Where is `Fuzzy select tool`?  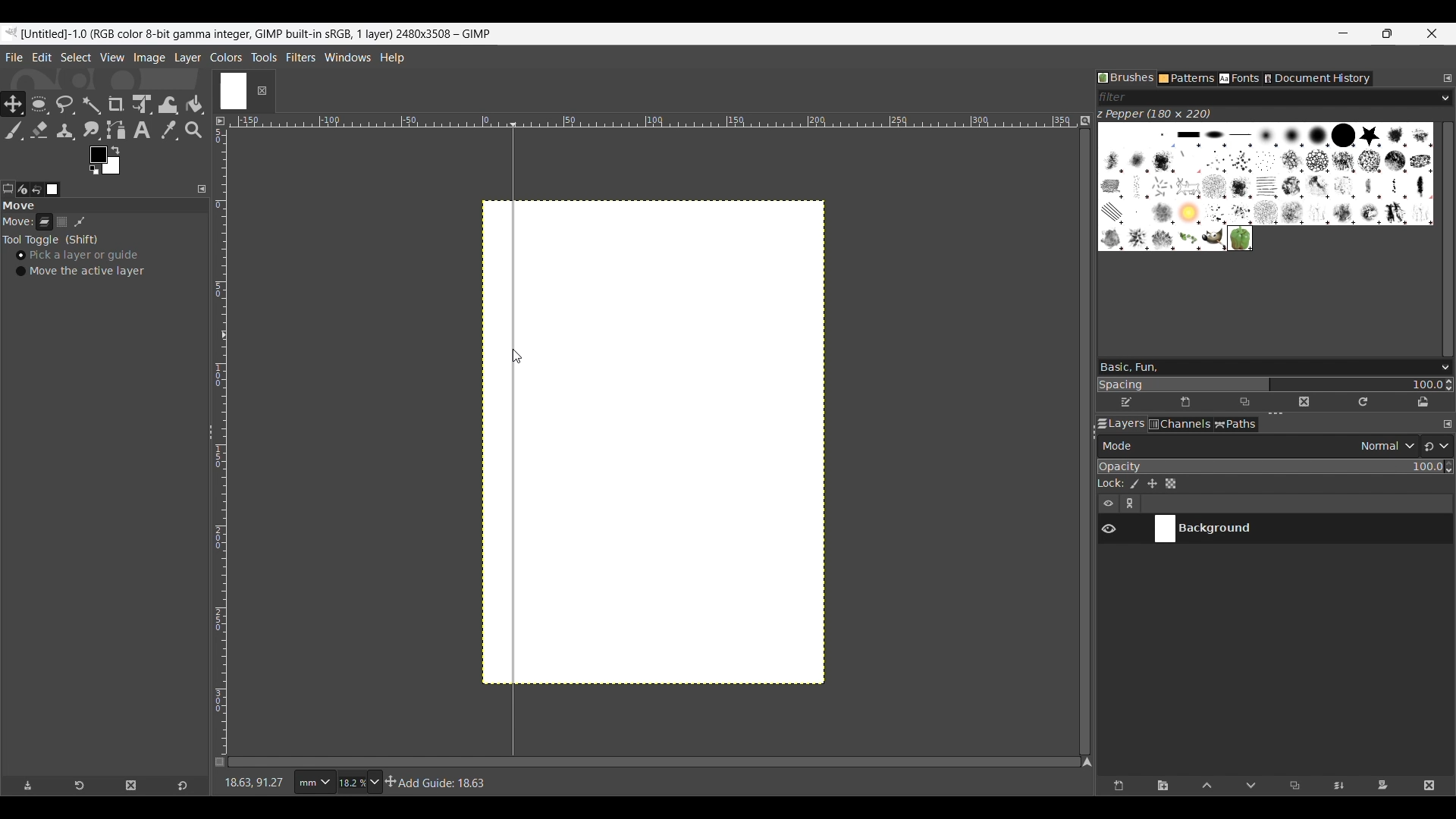
Fuzzy select tool is located at coordinates (91, 105).